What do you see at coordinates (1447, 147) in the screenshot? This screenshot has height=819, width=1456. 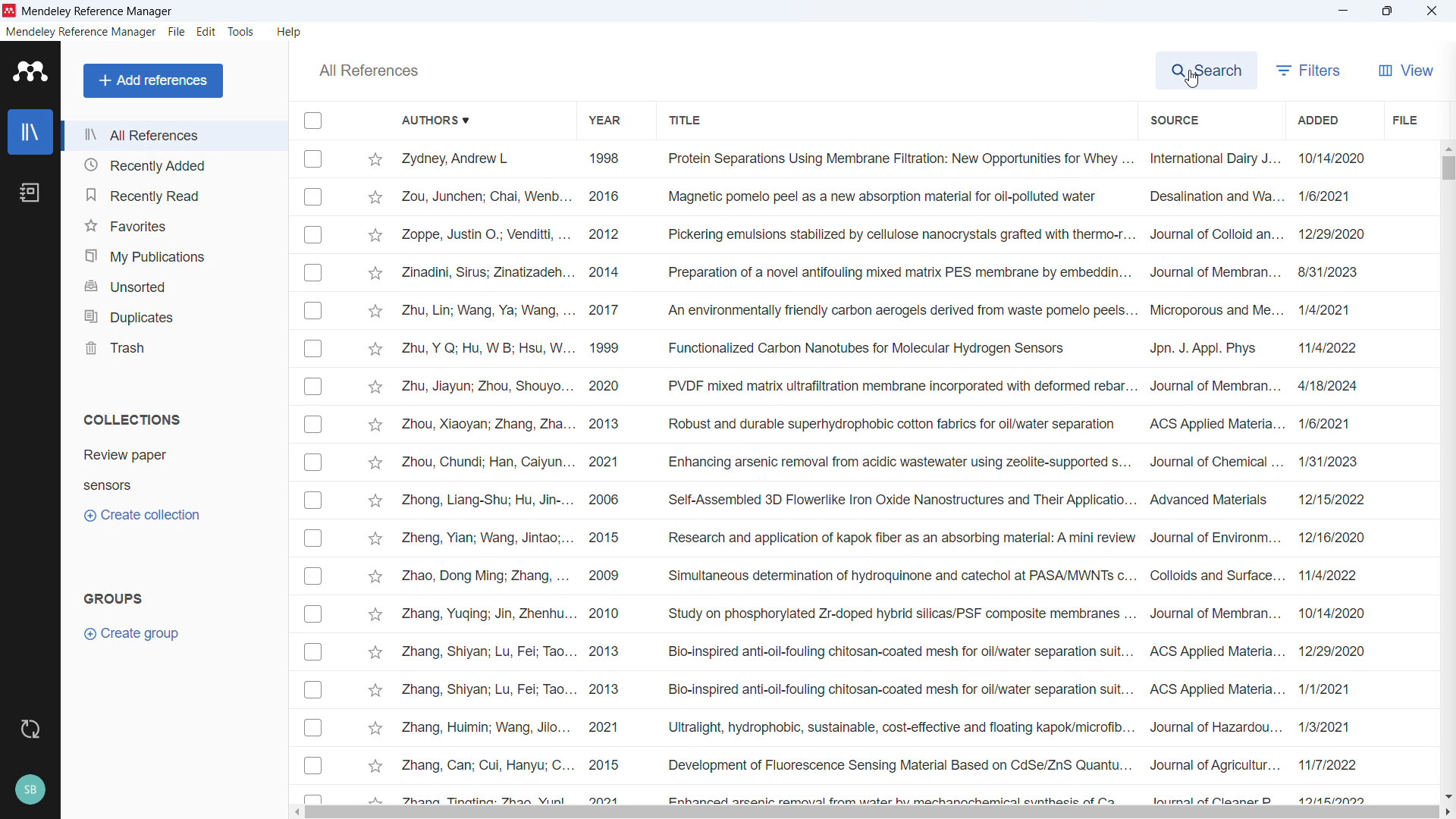 I see `Scroll up ` at bounding box center [1447, 147].